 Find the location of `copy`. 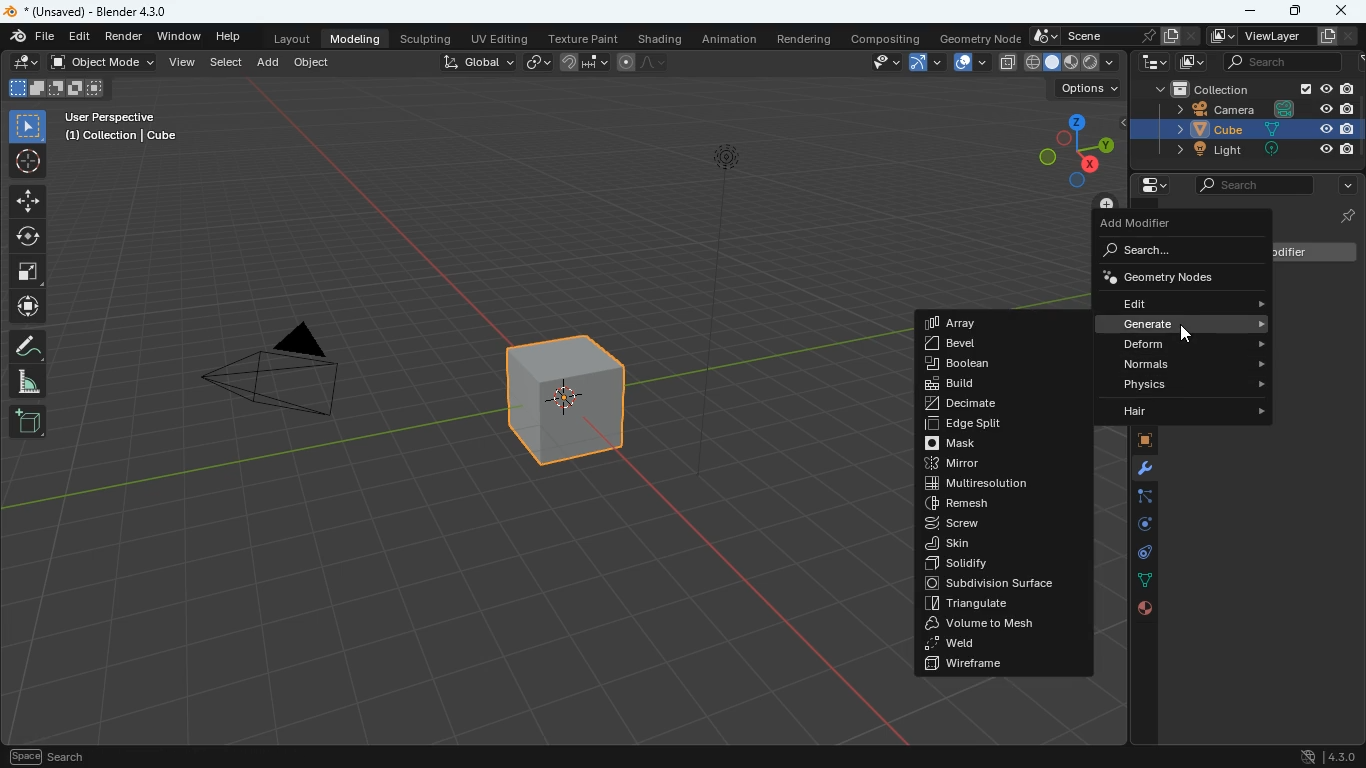

copy is located at coordinates (1006, 61).